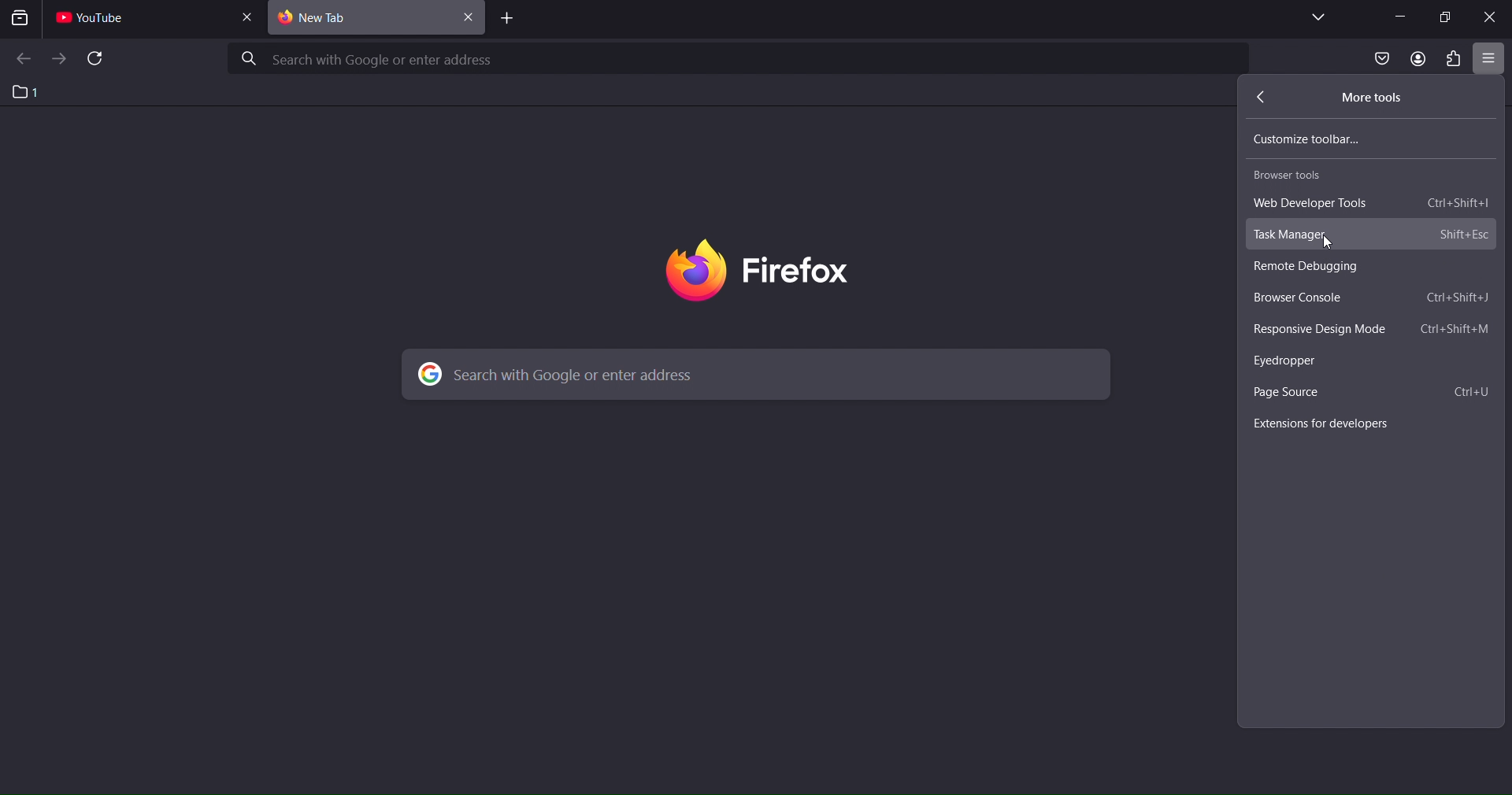  I want to click on list all tabs, so click(1316, 17).